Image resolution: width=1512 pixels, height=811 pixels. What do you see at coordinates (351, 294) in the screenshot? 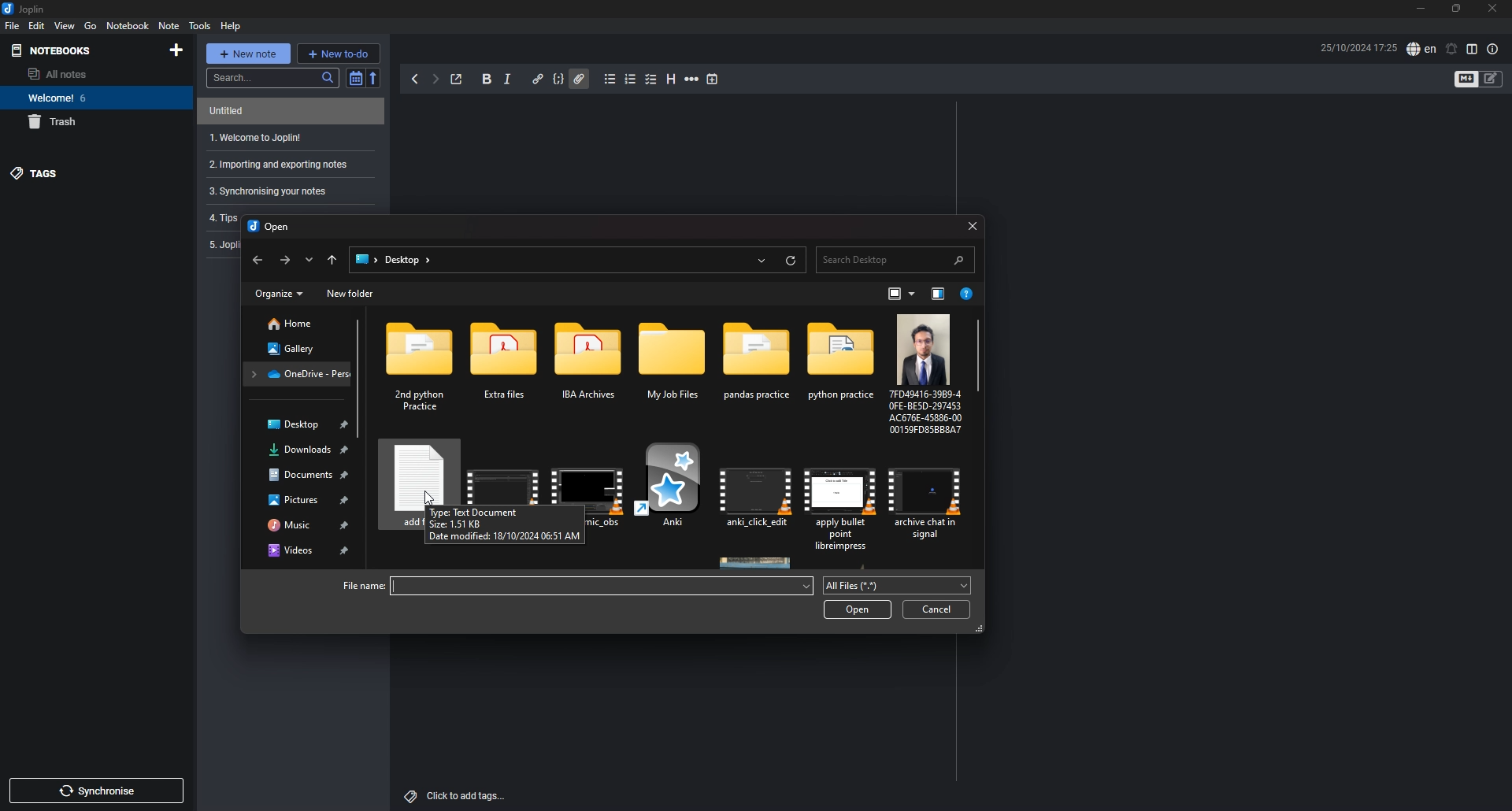
I see `new folder` at bounding box center [351, 294].